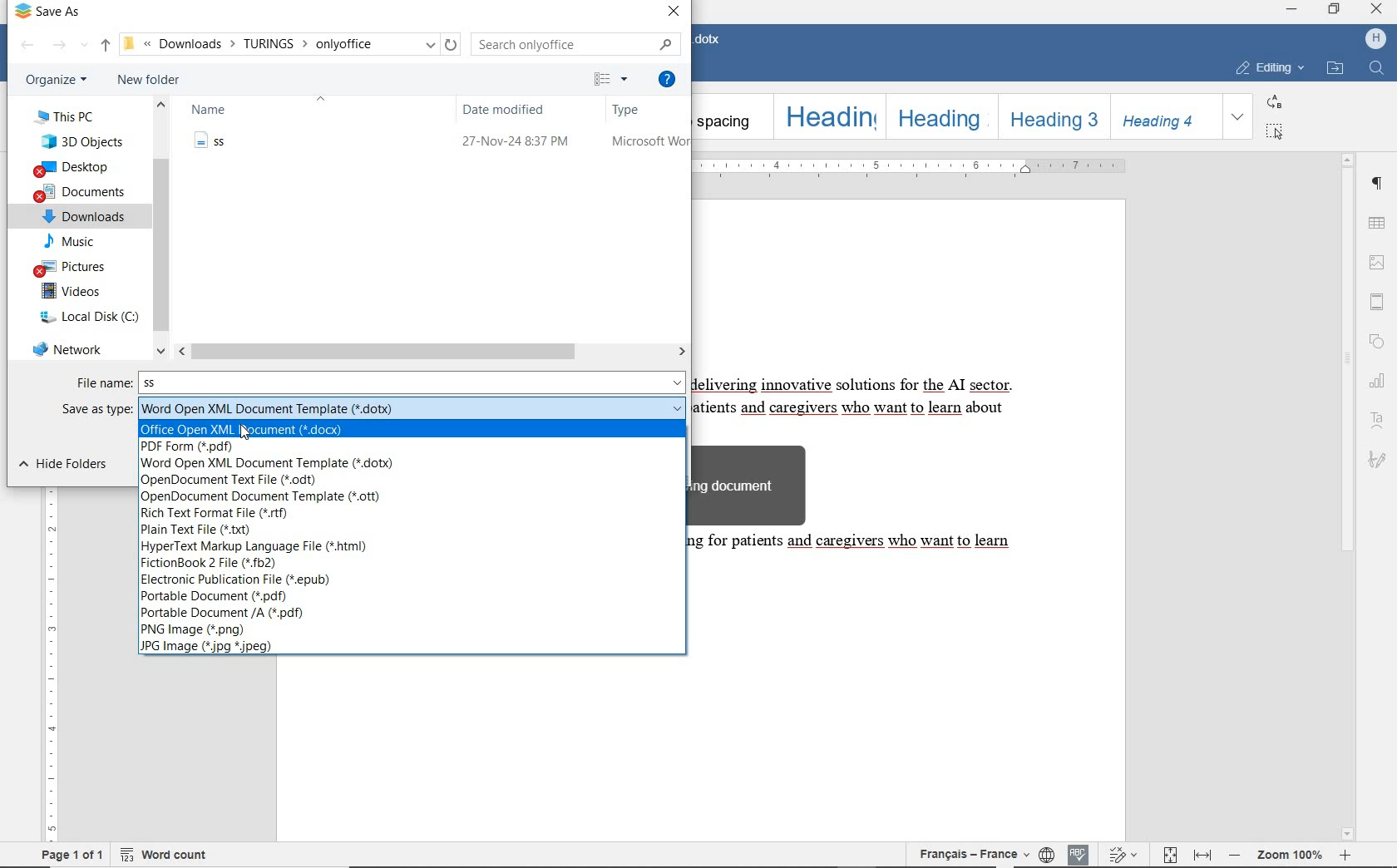 The width and height of the screenshot is (1397, 868). Describe the element at coordinates (1375, 8) in the screenshot. I see `close` at that location.